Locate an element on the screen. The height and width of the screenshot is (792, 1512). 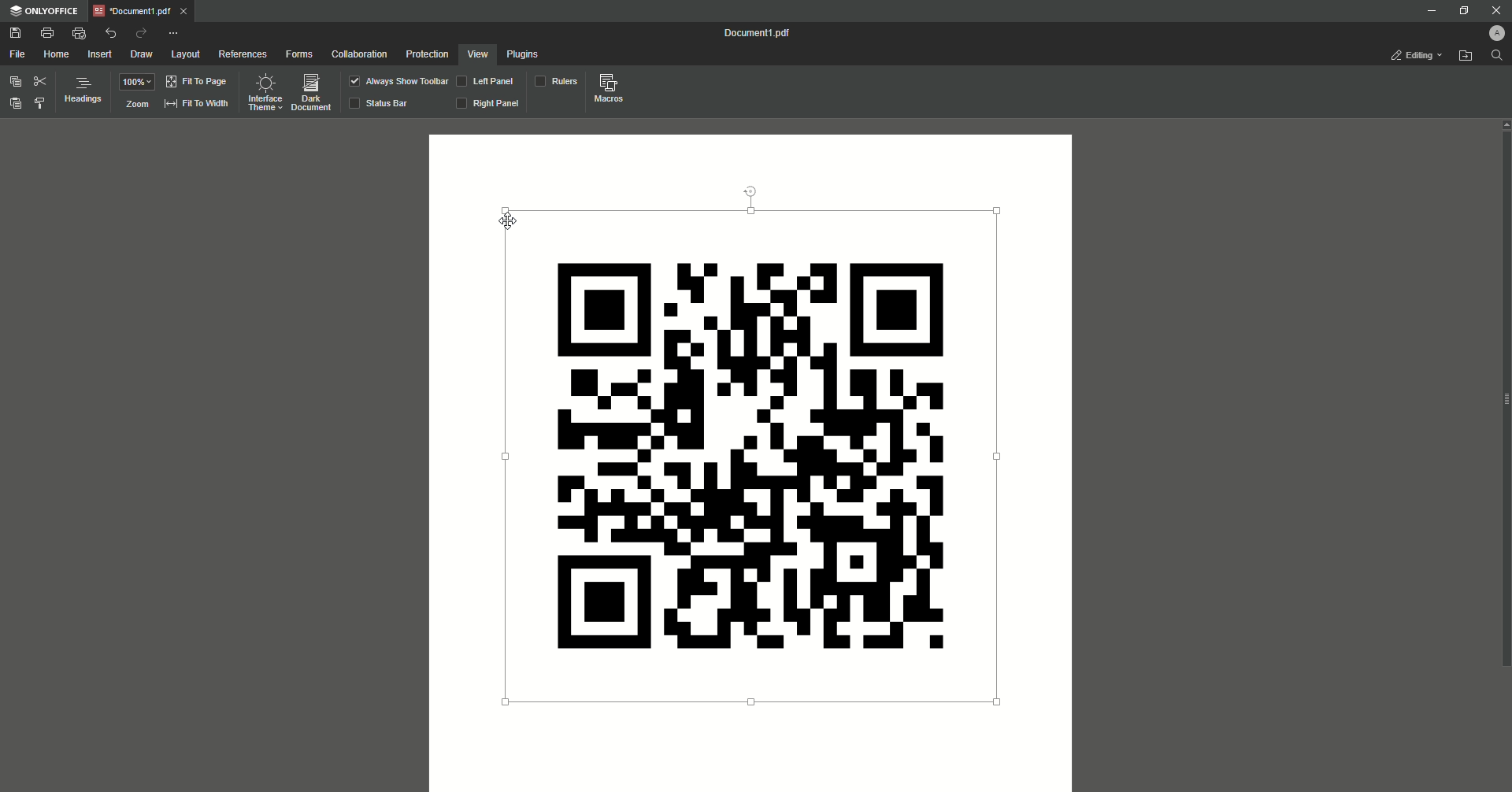
Forms is located at coordinates (299, 54).